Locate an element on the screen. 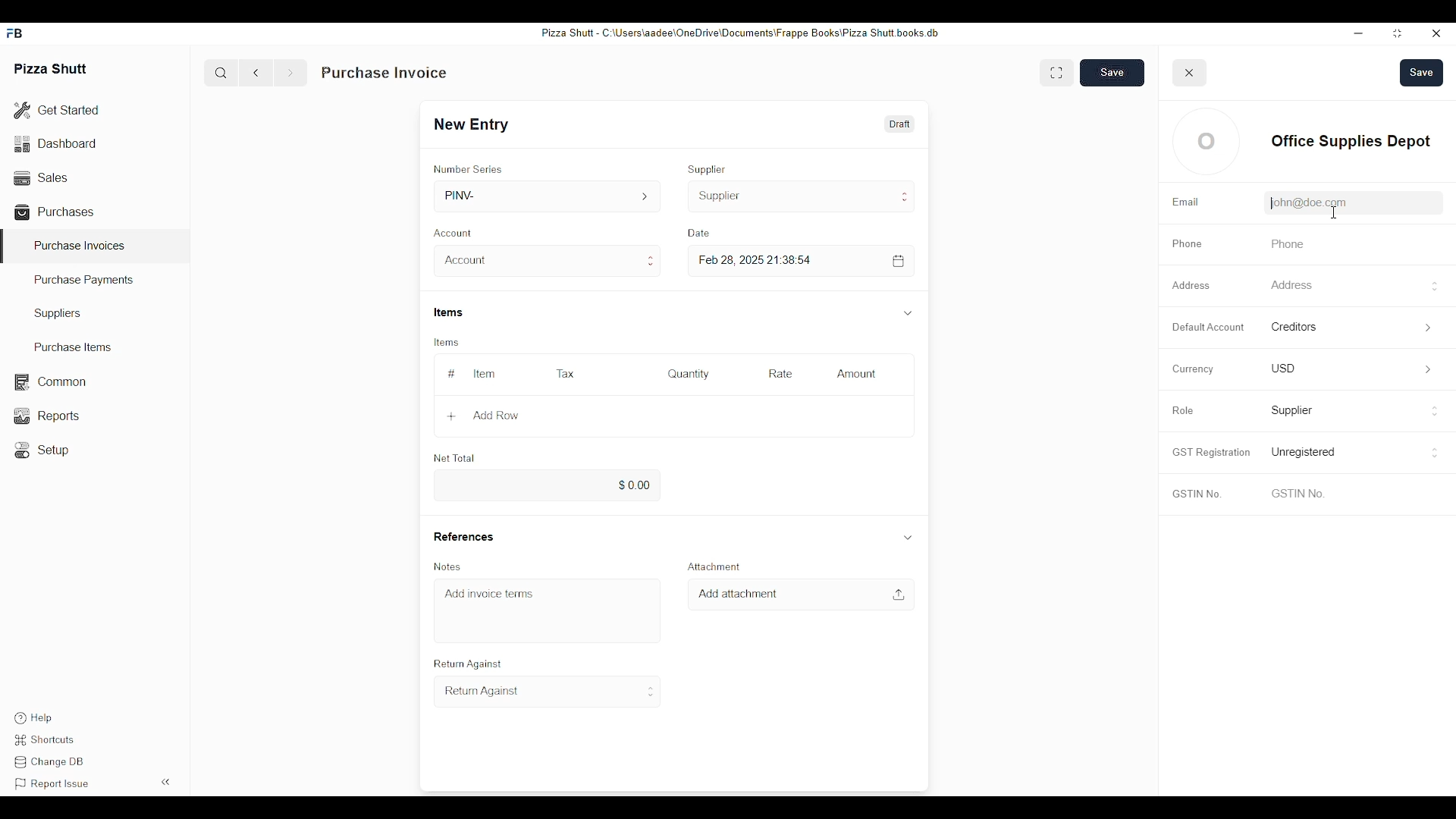 The image size is (1456, 819). Role is located at coordinates (1182, 410).